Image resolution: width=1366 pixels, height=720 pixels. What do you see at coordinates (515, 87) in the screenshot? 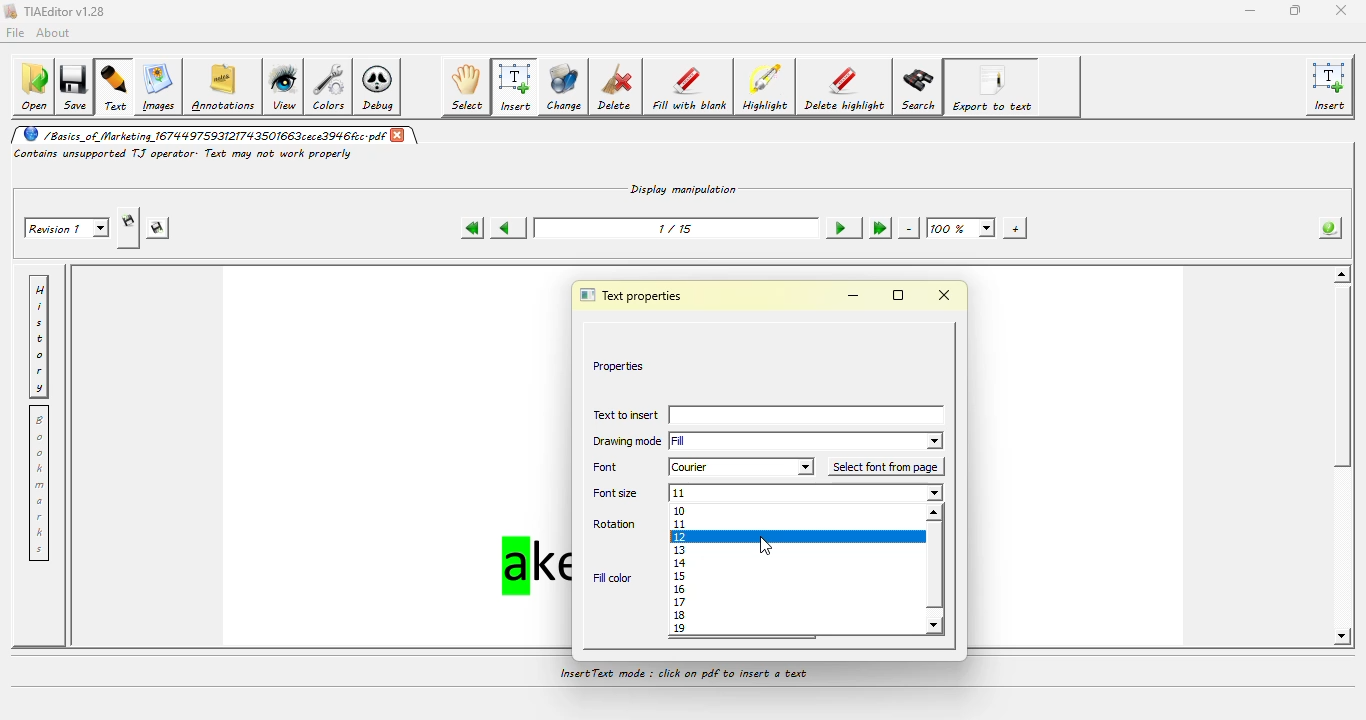
I see `insert` at bounding box center [515, 87].